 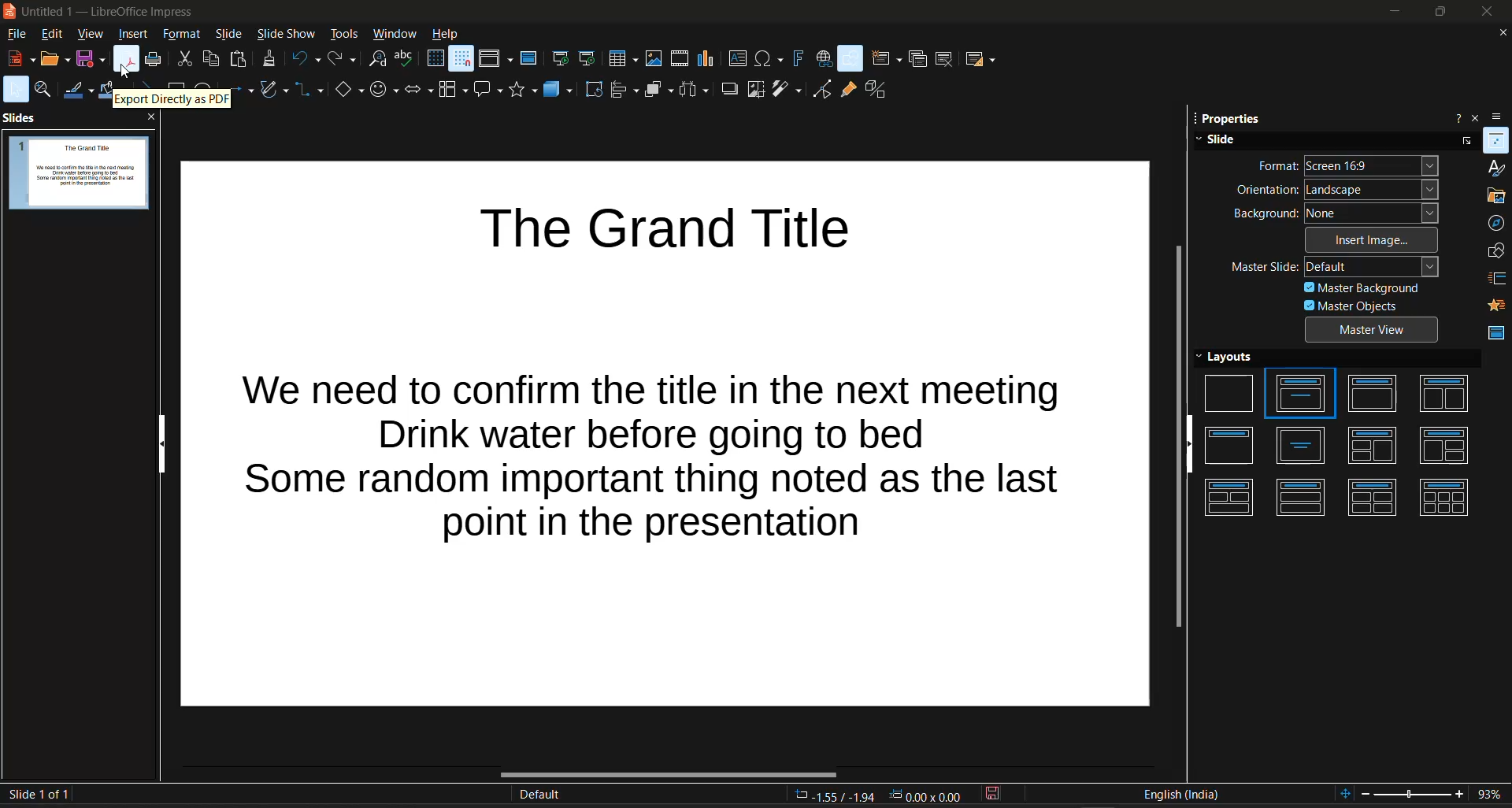 I want to click on callout shapes, so click(x=487, y=91).